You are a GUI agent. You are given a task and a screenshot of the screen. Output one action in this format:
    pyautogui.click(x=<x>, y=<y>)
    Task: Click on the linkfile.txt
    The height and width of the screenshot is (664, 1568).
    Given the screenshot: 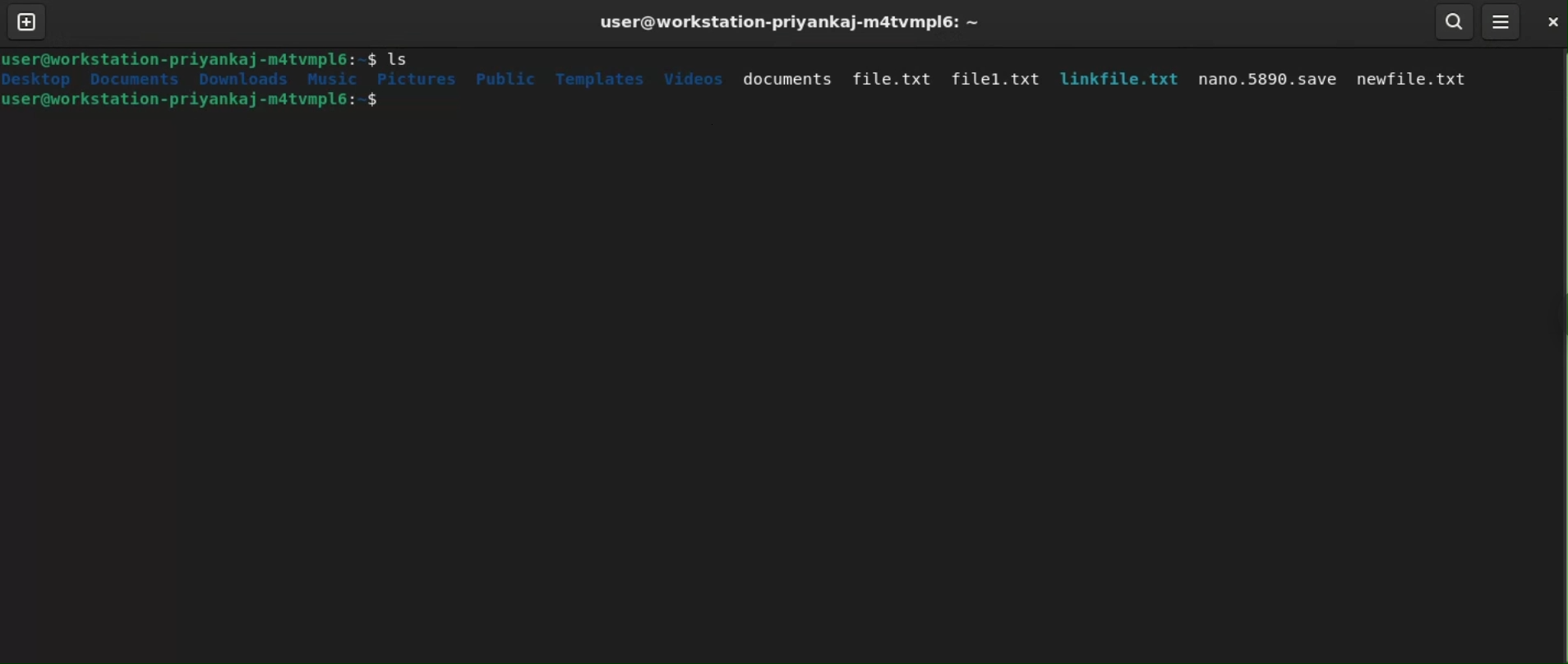 What is the action you would take?
    pyautogui.click(x=1116, y=79)
    